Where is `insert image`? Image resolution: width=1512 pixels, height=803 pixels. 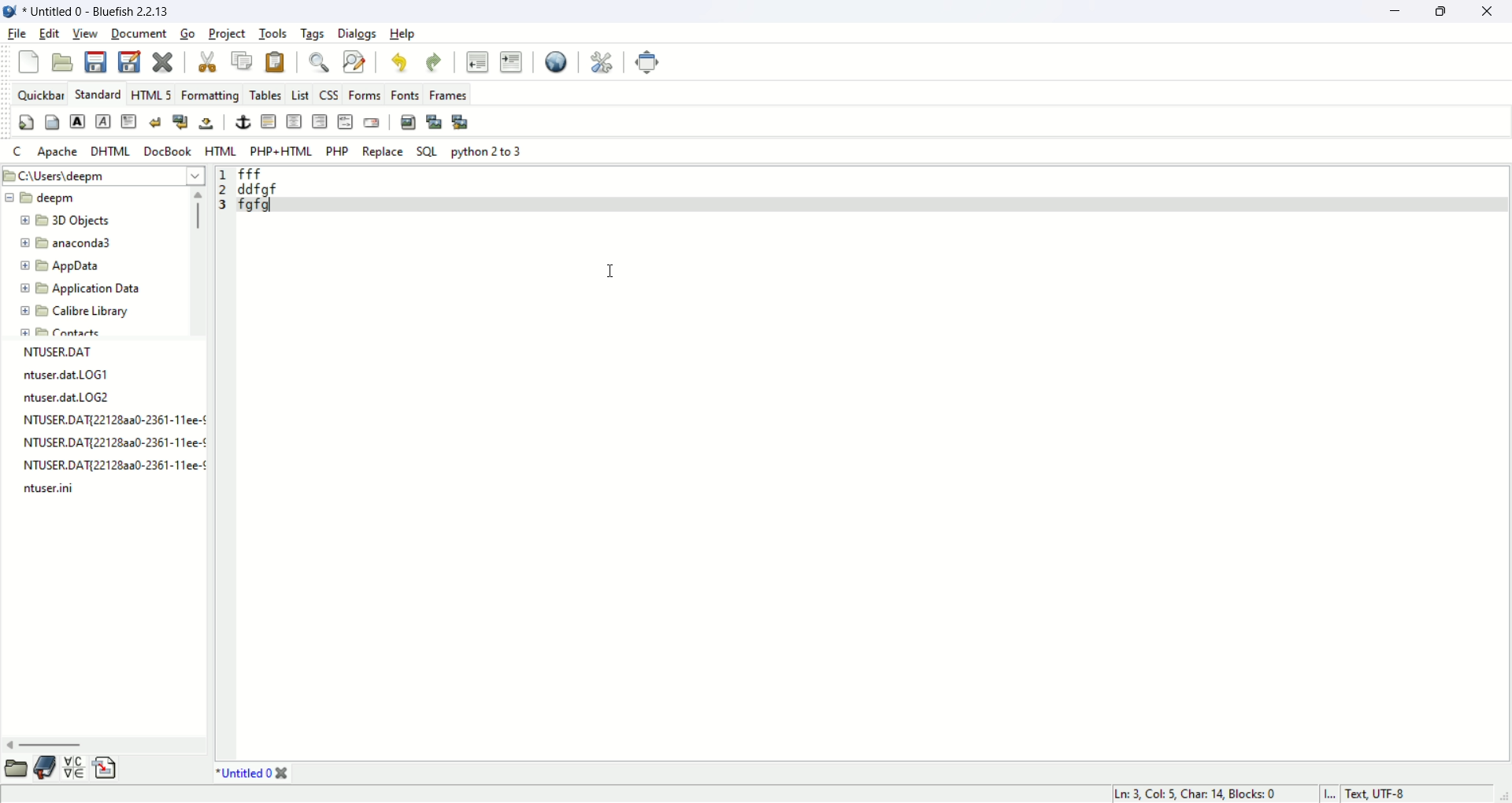 insert image is located at coordinates (407, 121).